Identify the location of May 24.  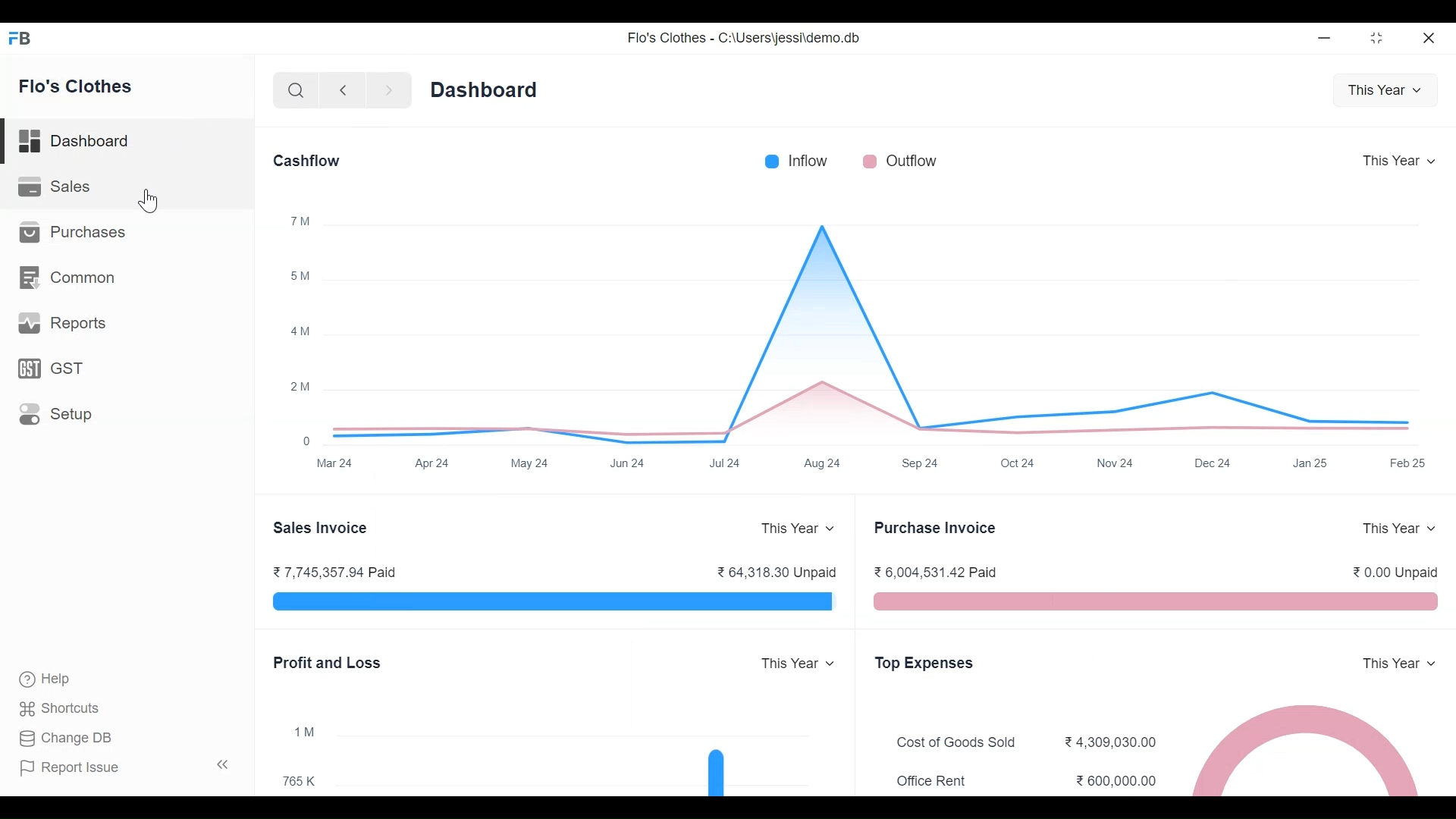
(534, 463).